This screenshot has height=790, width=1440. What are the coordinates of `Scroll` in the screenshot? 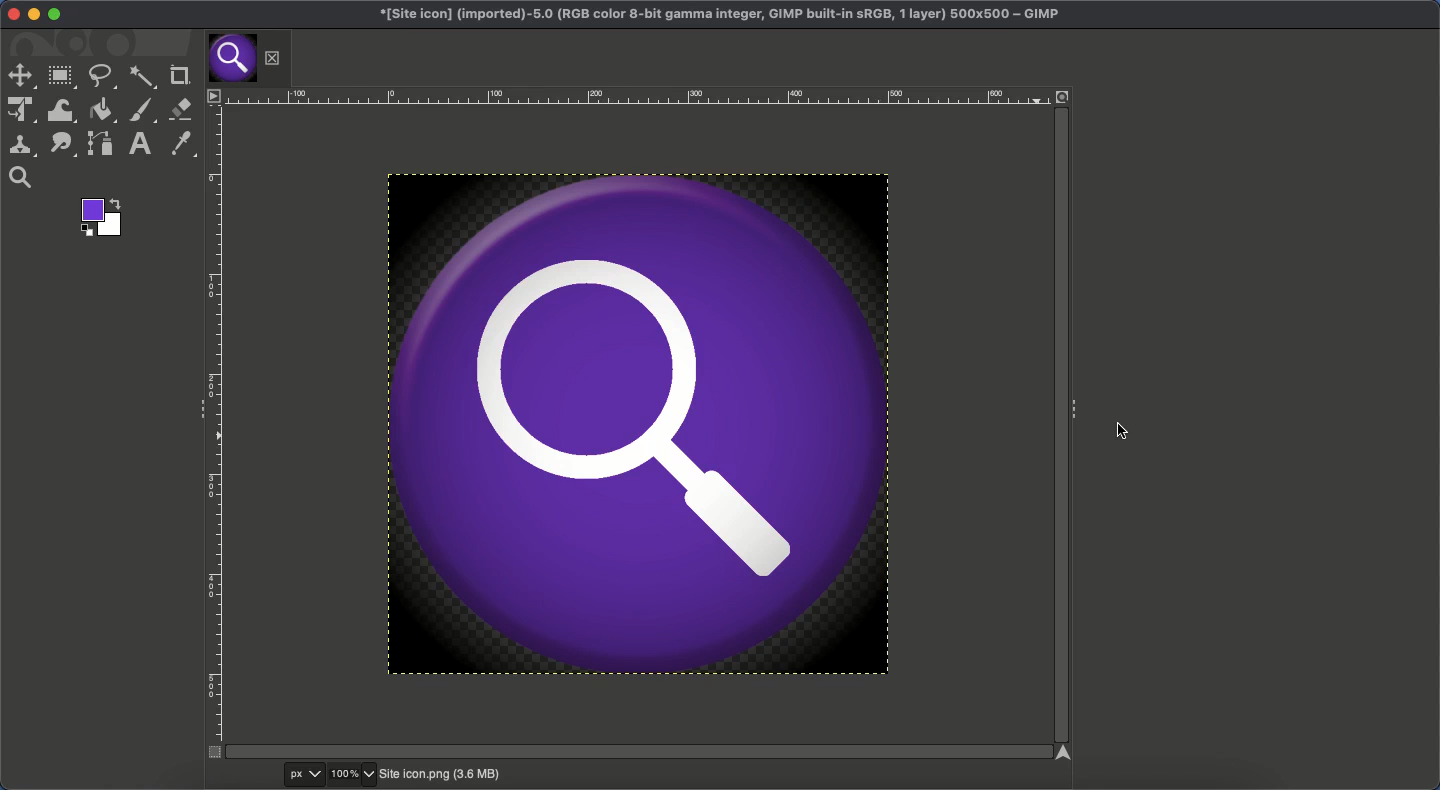 It's located at (633, 752).